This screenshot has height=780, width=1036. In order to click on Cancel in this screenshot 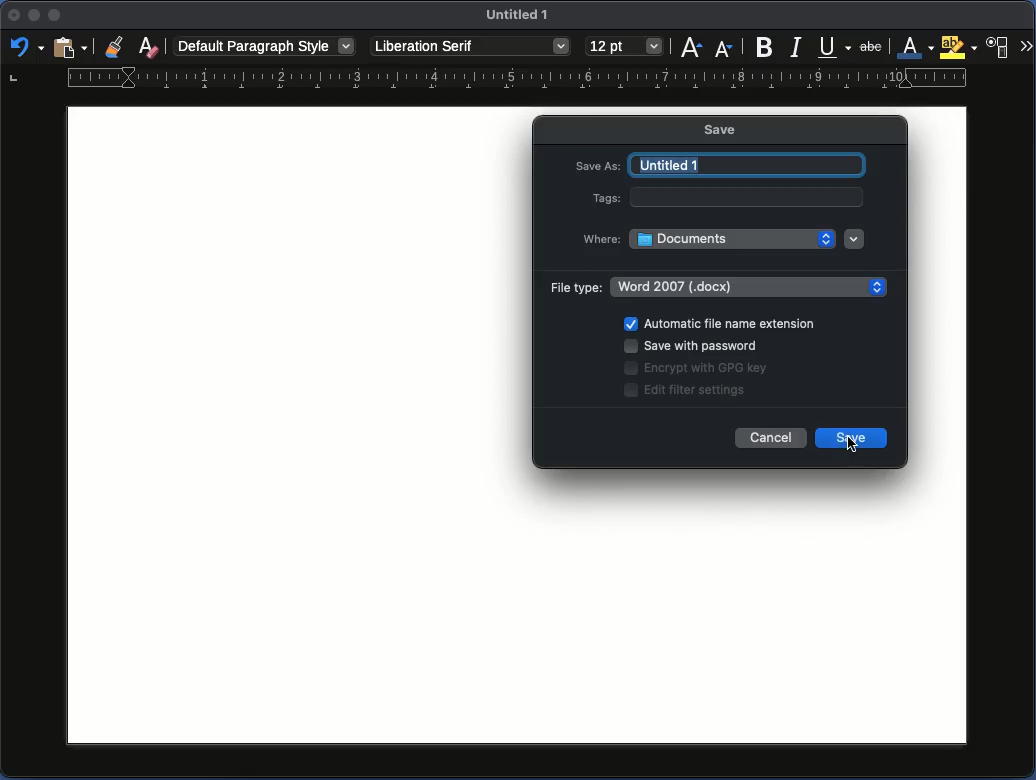, I will do `click(772, 437)`.